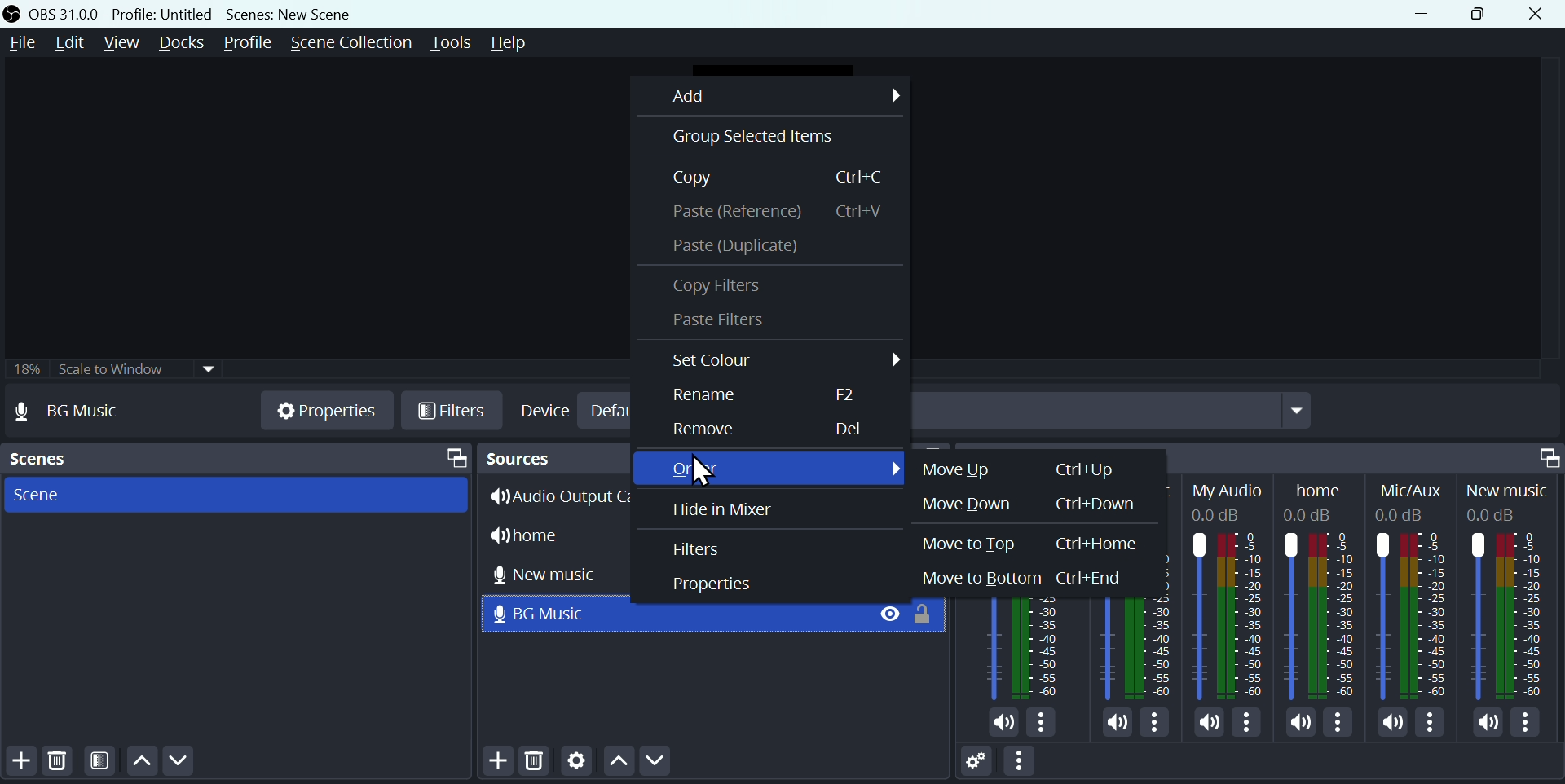 This screenshot has height=784, width=1565. What do you see at coordinates (573, 764) in the screenshot?
I see `Settings` at bounding box center [573, 764].